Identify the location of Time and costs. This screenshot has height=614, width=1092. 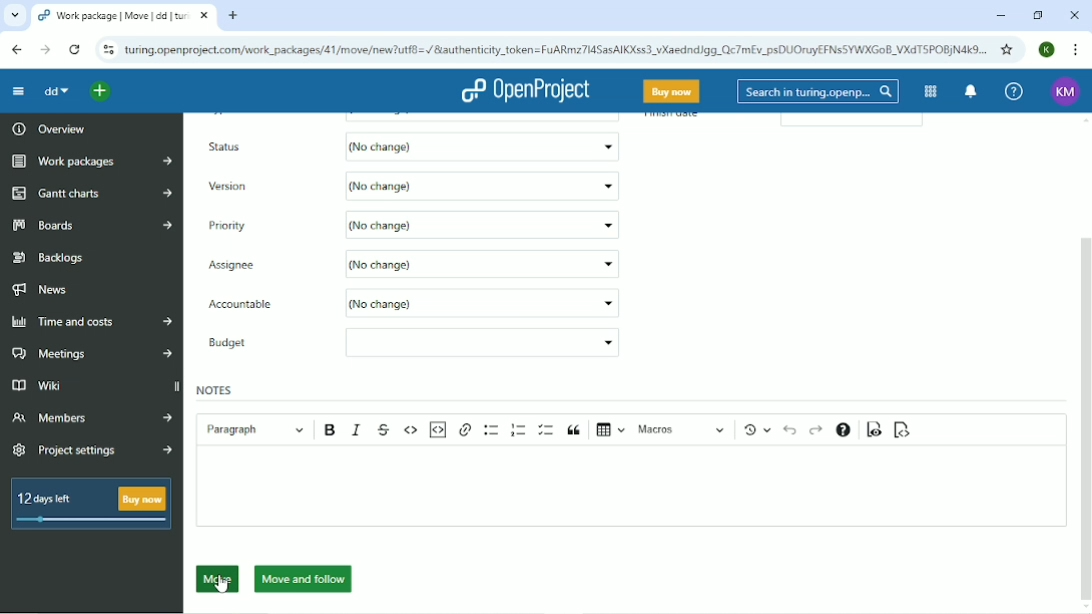
(92, 322).